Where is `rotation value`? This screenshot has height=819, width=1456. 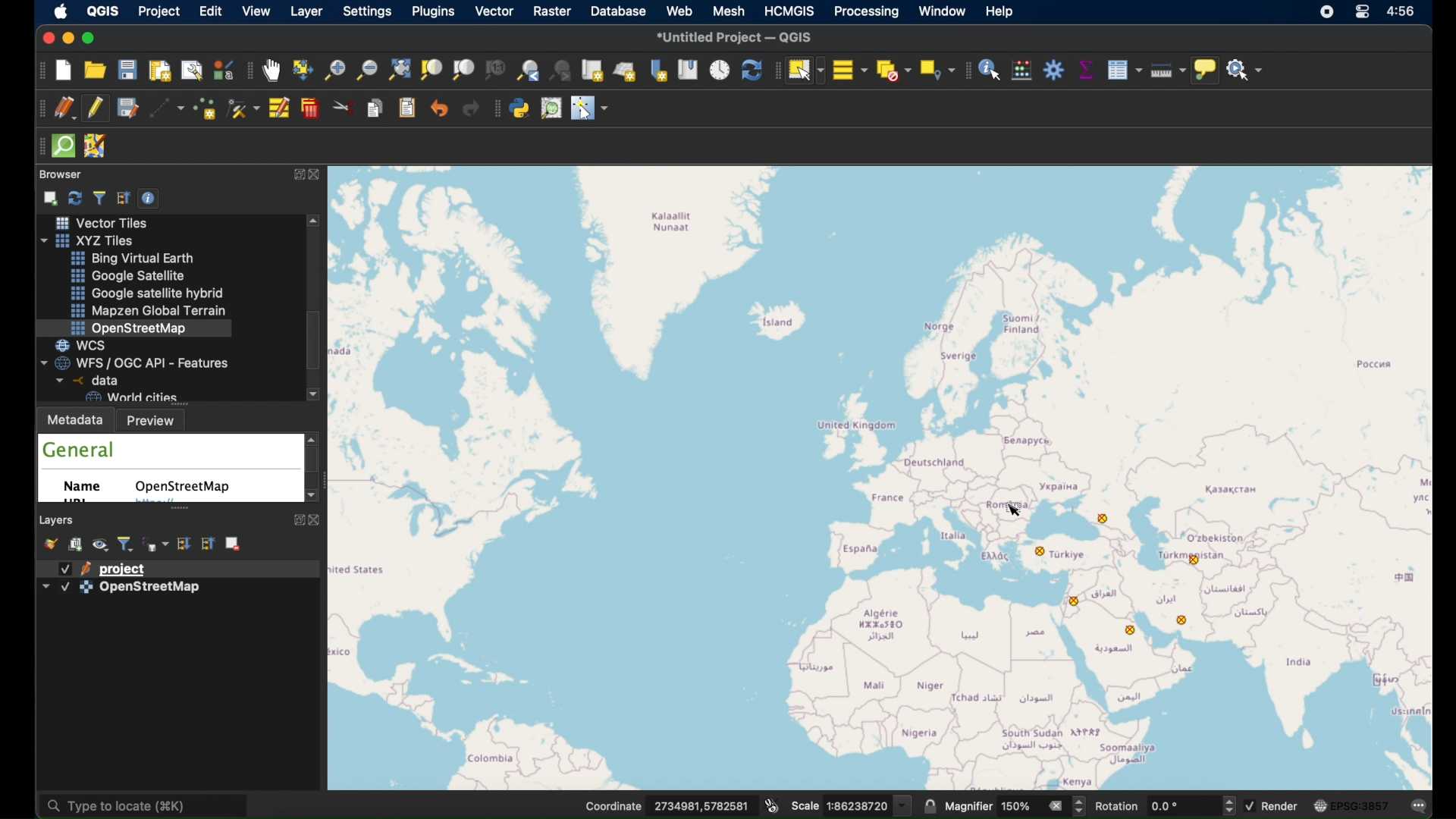 rotation value is located at coordinates (1168, 805).